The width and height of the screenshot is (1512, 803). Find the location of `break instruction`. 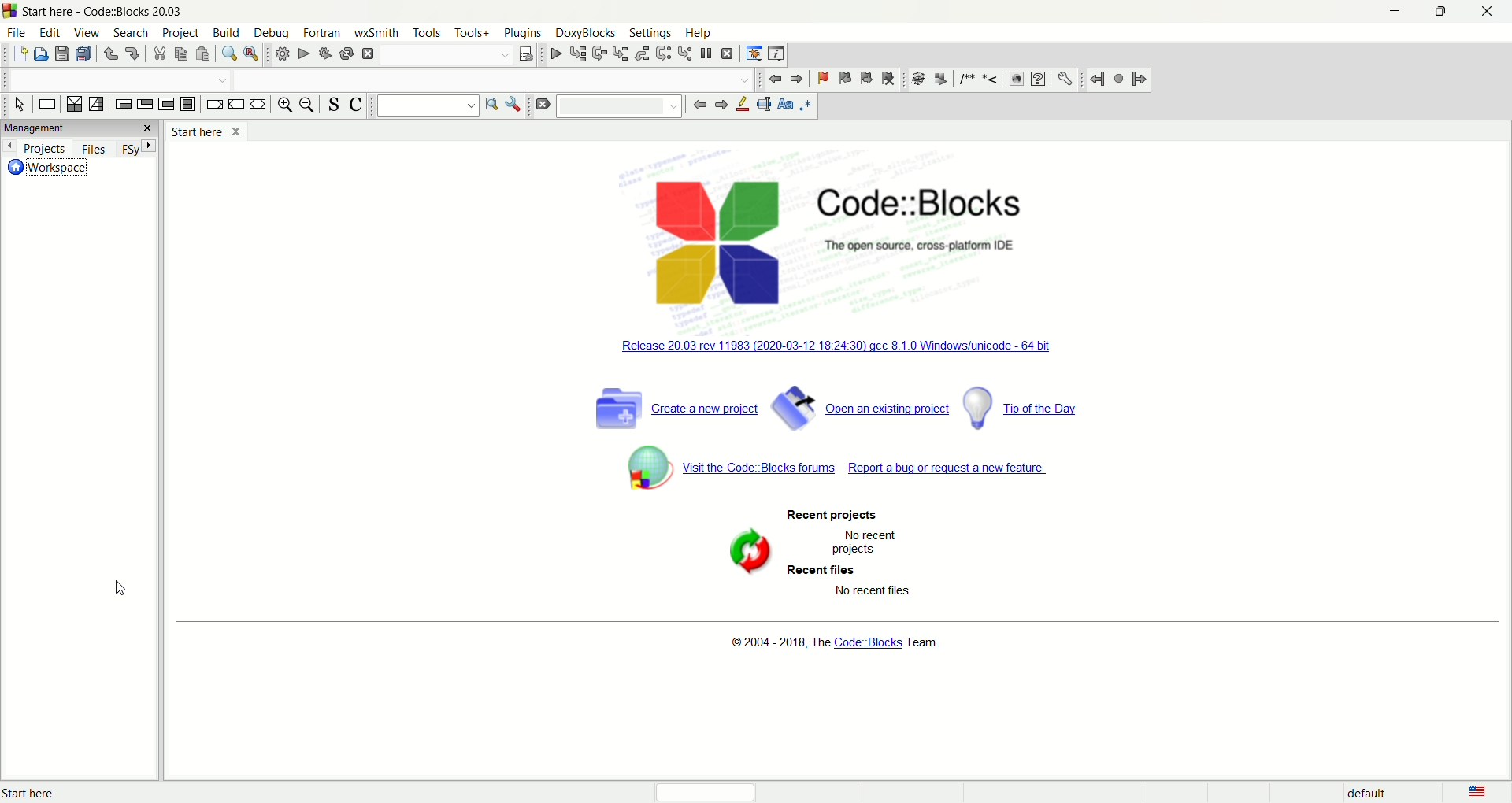

break instruction is located at coordinates (214, 104).